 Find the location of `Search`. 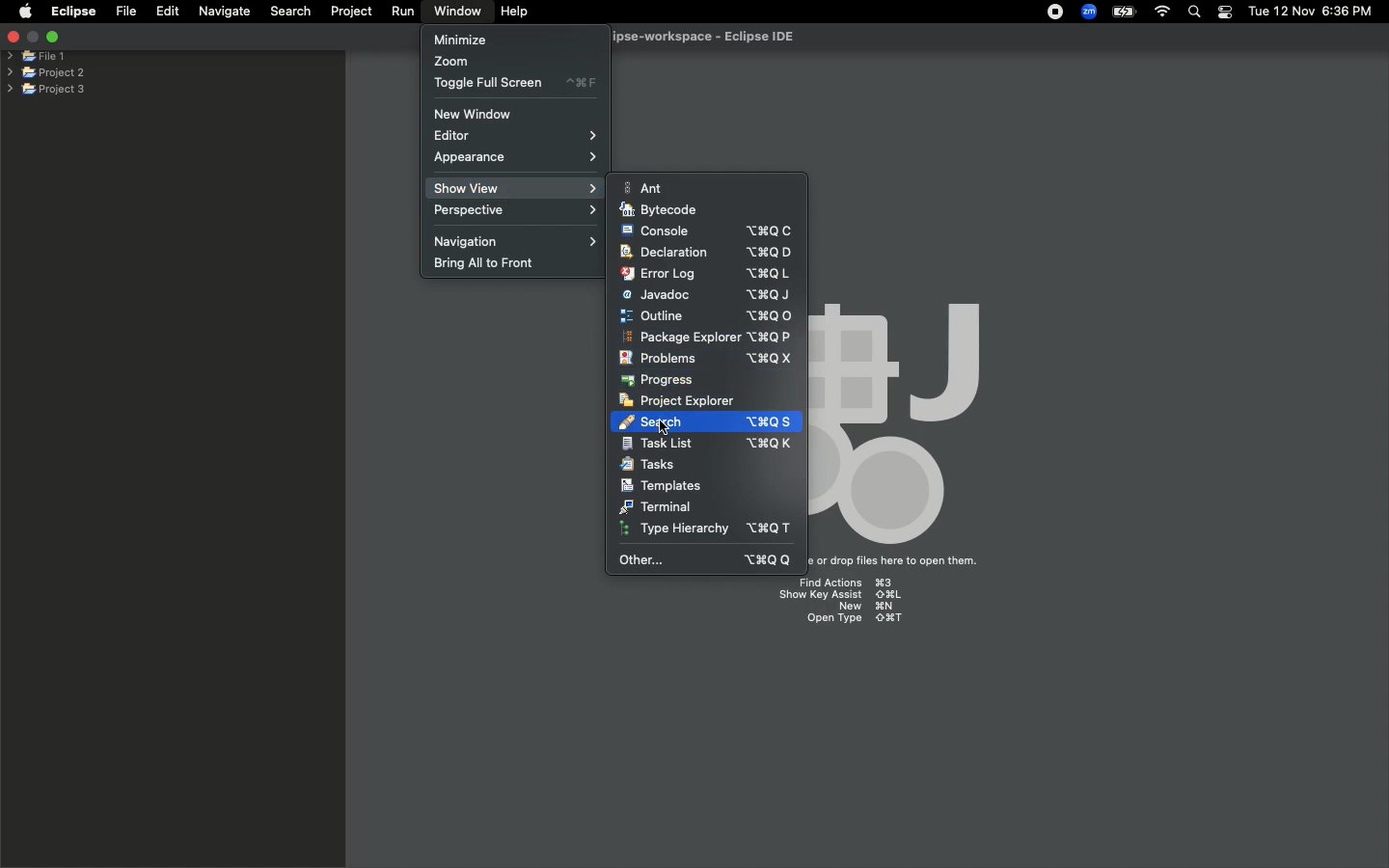

Search is located at coordinates (742, 420).